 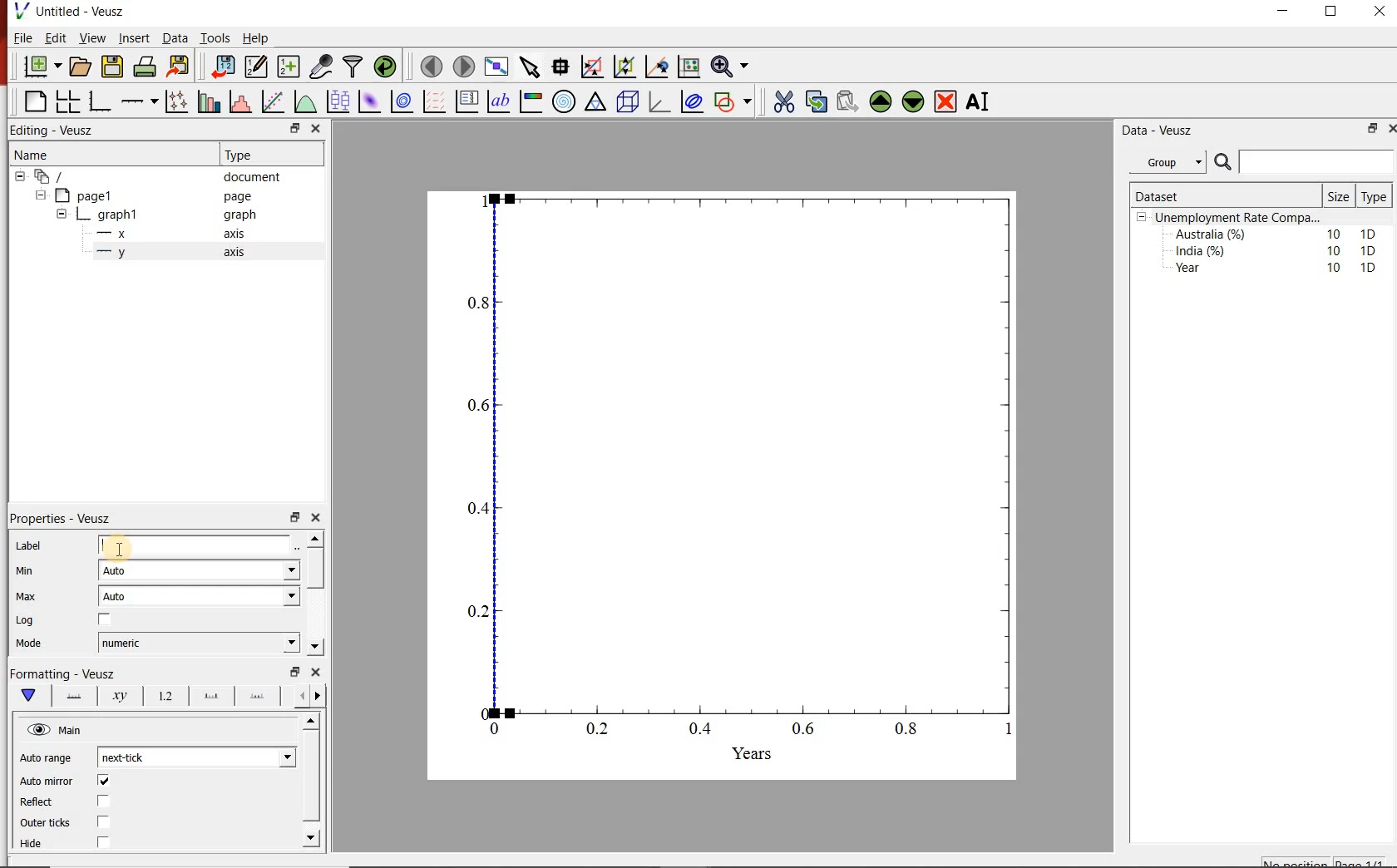 What do you see at coordinates (733, 101) in the screenshot?
I see `add a shapes` at bounding box center [733, 101].